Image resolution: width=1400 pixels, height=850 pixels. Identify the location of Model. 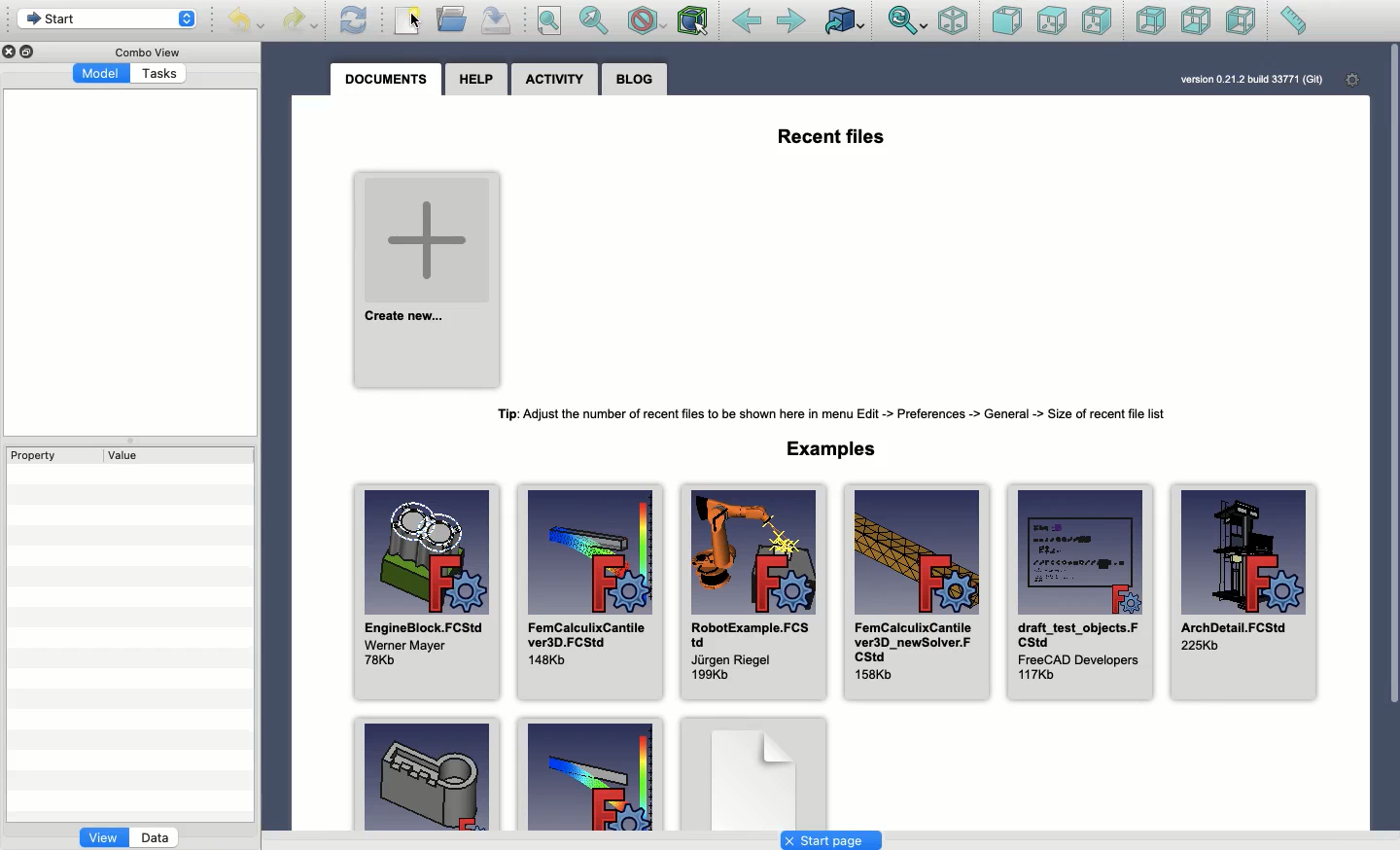
(102, 74).